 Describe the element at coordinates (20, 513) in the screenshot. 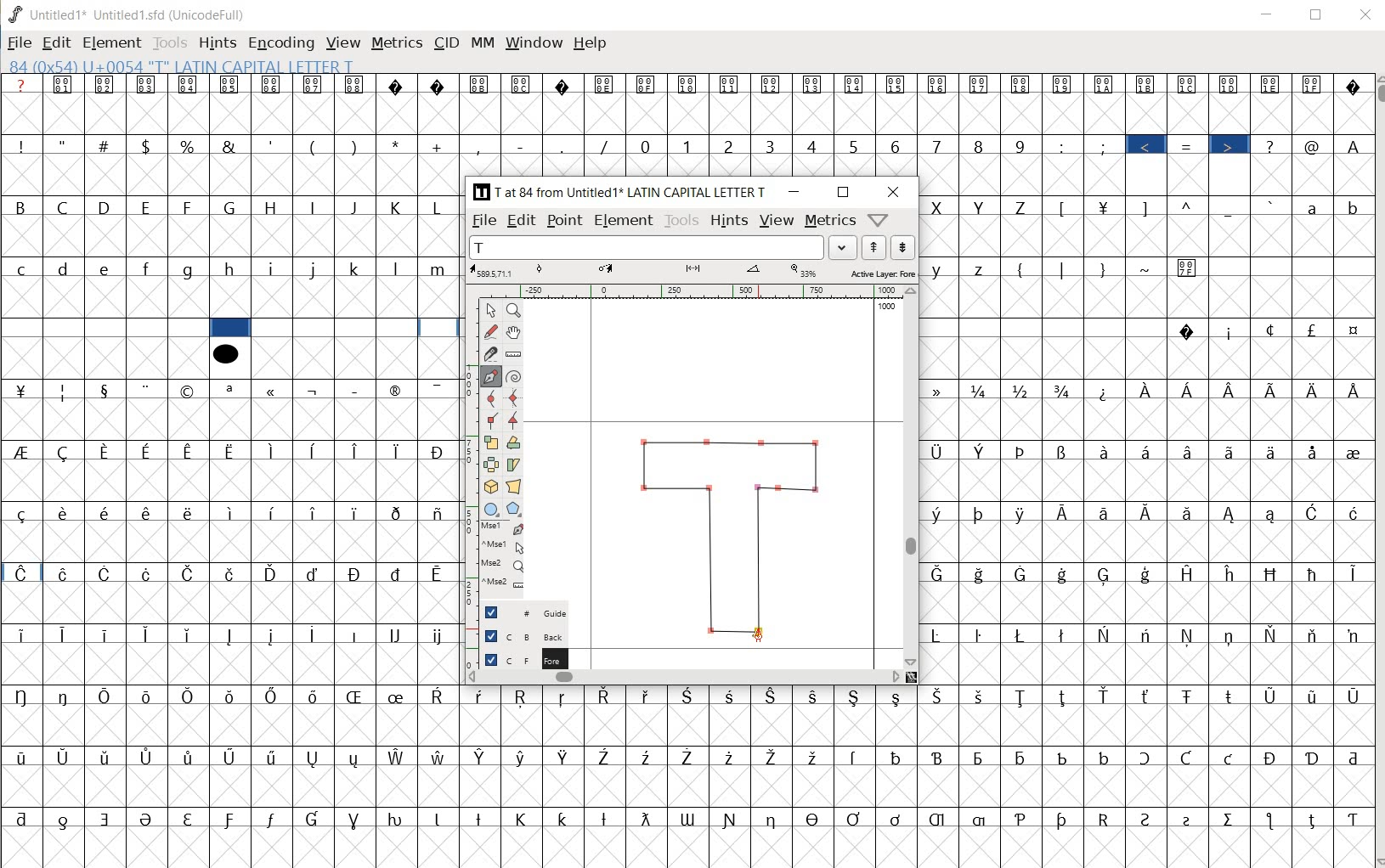

I see `Symbol` at that location.